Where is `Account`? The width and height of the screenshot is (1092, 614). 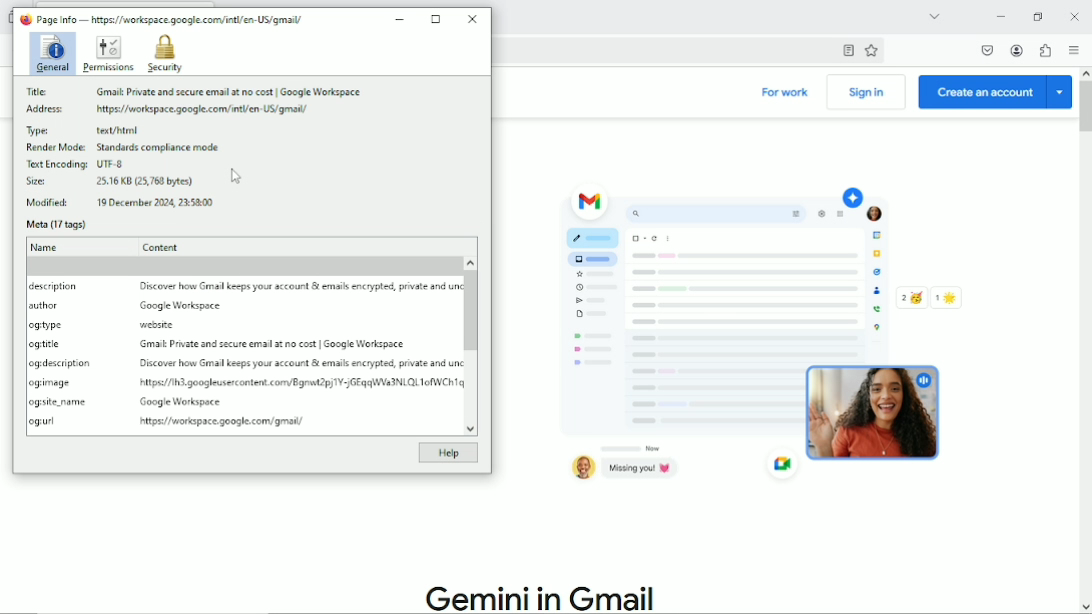 Account is located at coordinates (1017, 50).